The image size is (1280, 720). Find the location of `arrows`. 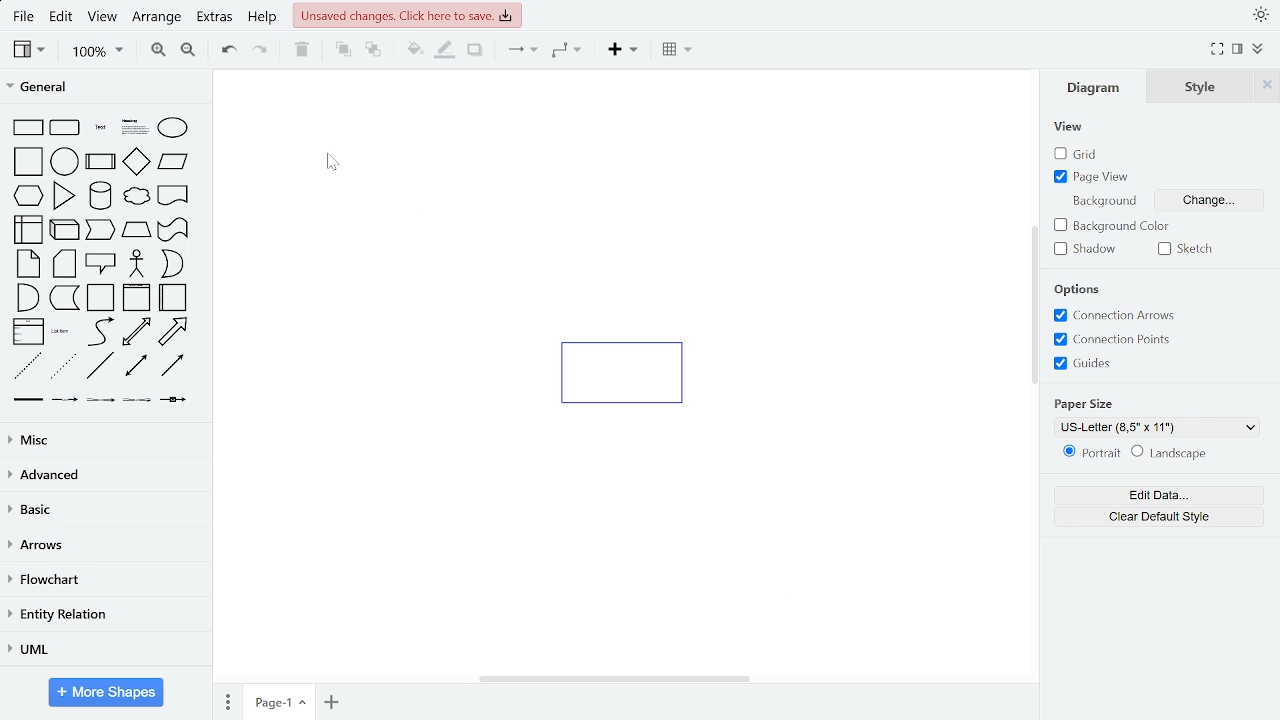

arrows is located at coordinates (104, 548).